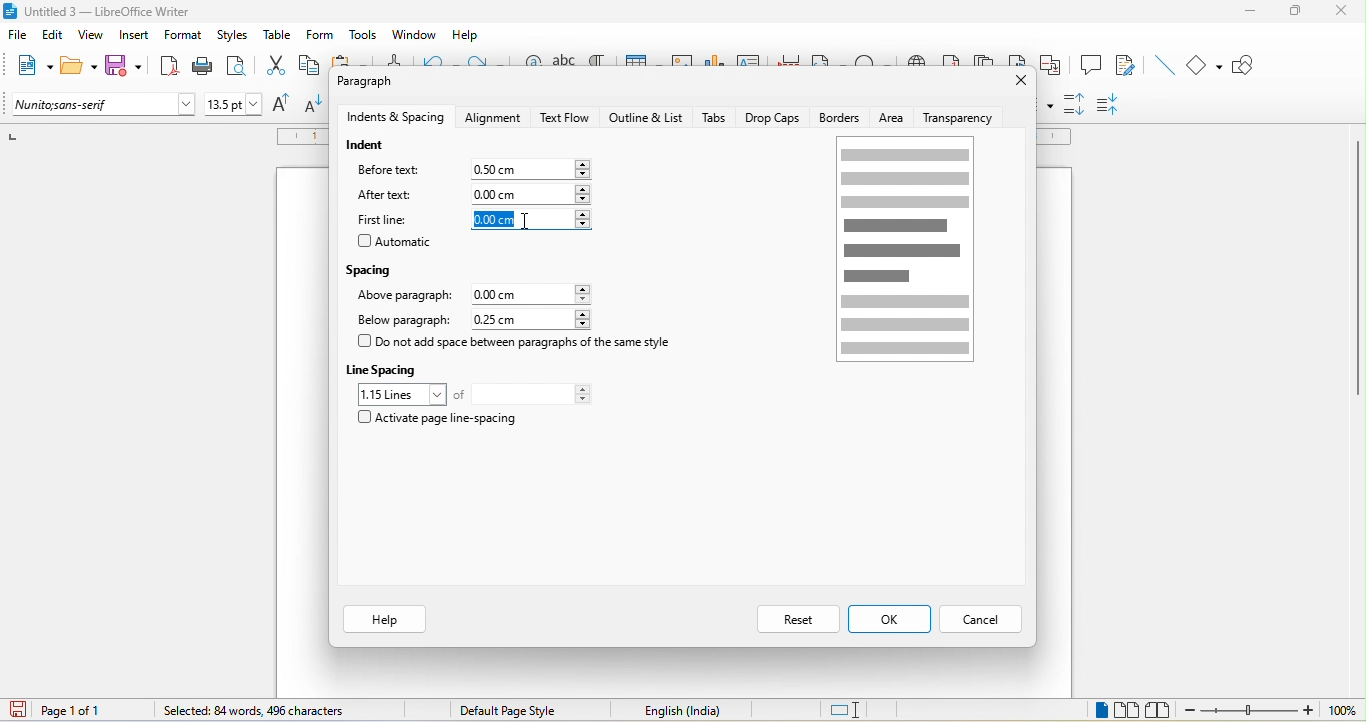 Image resolution: width=1366 pixels, height=722 pixels. I want to click on form, so click(319, 34).